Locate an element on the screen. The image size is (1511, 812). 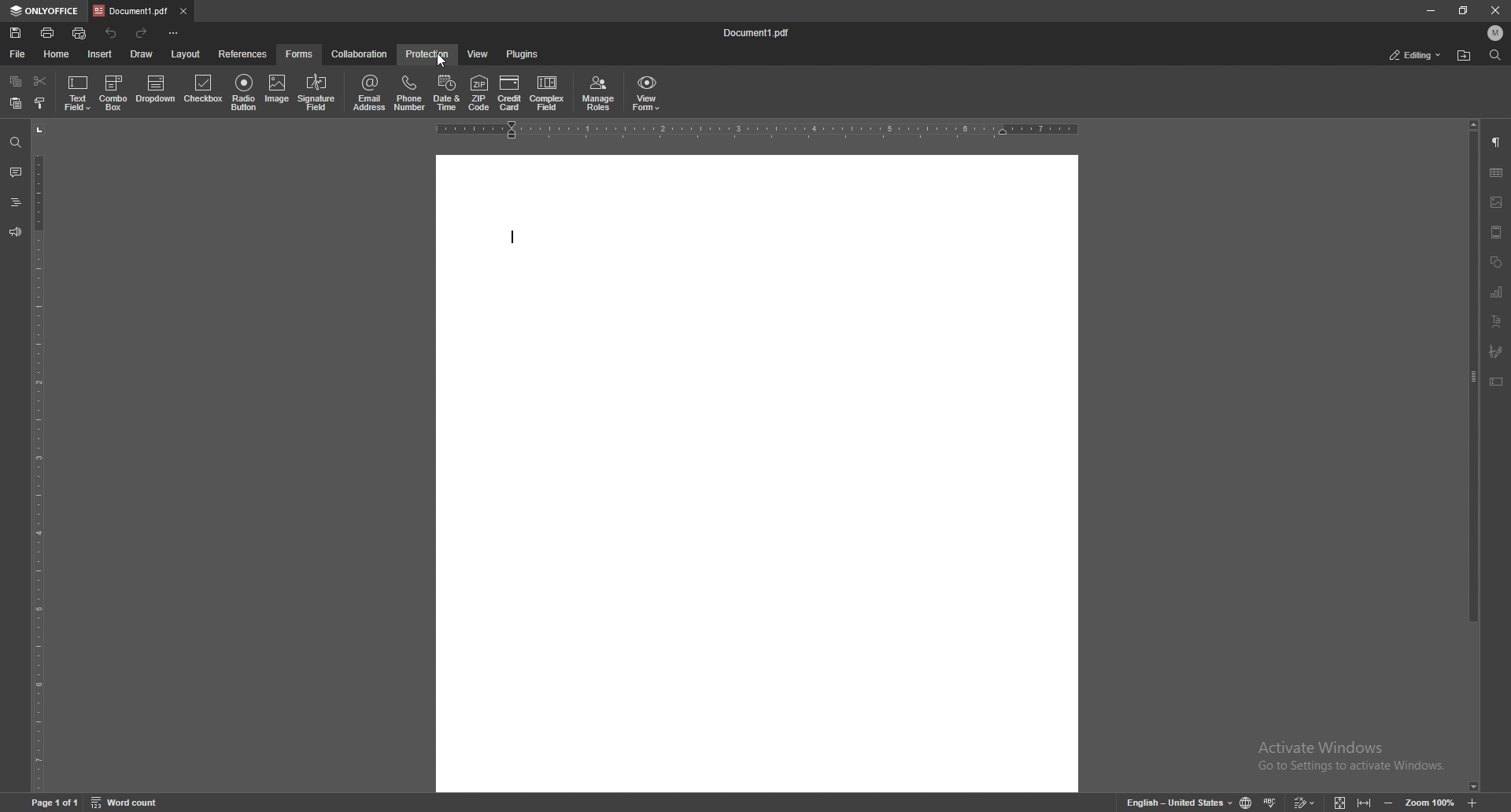
resize is located at coordinates (1465, 11).